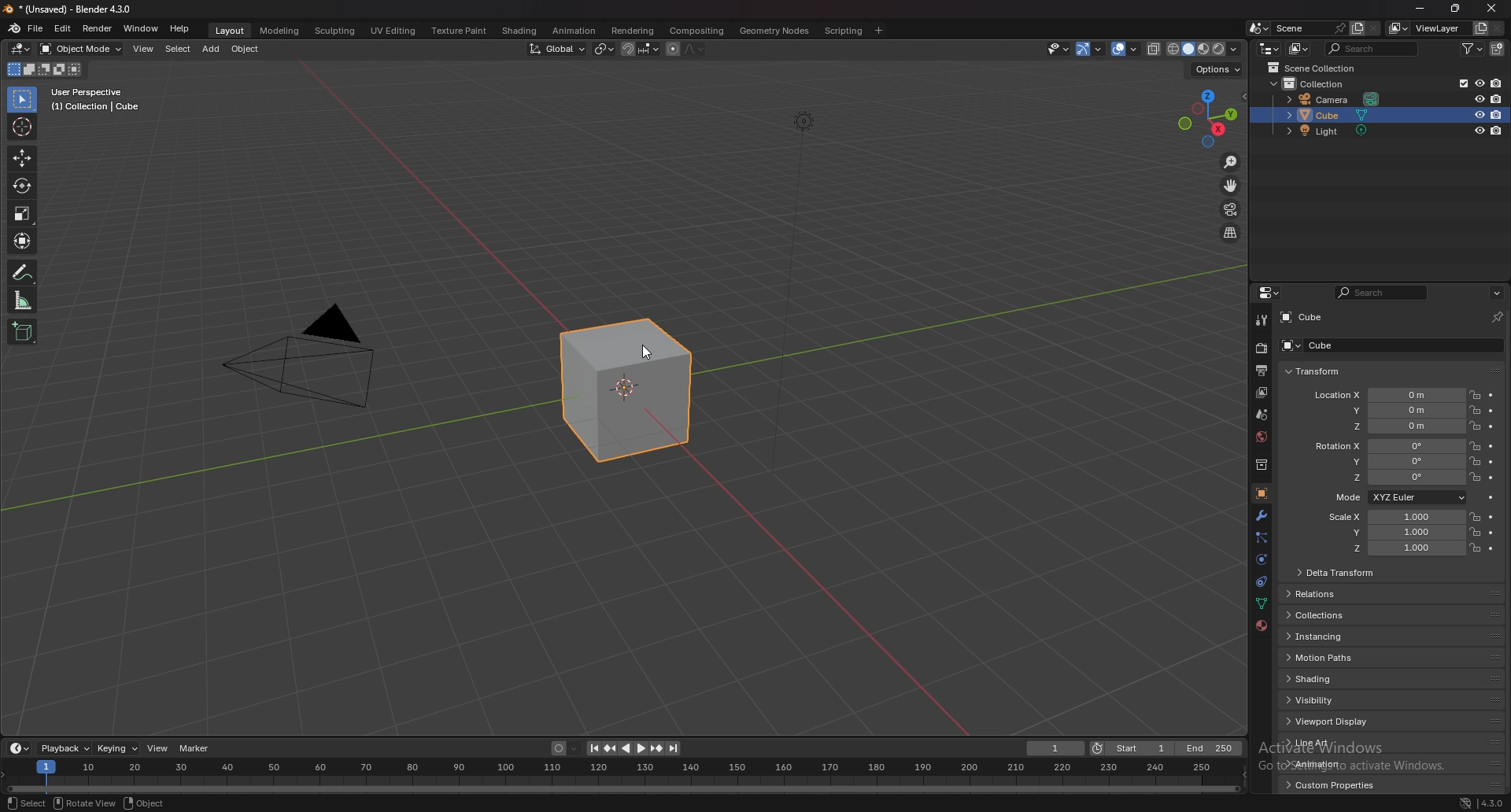 The image size is (1511, 812). What do you see at coordinates (1260, 465) in the screenshot?
I see `collection` at bounding box center [1260, 465].